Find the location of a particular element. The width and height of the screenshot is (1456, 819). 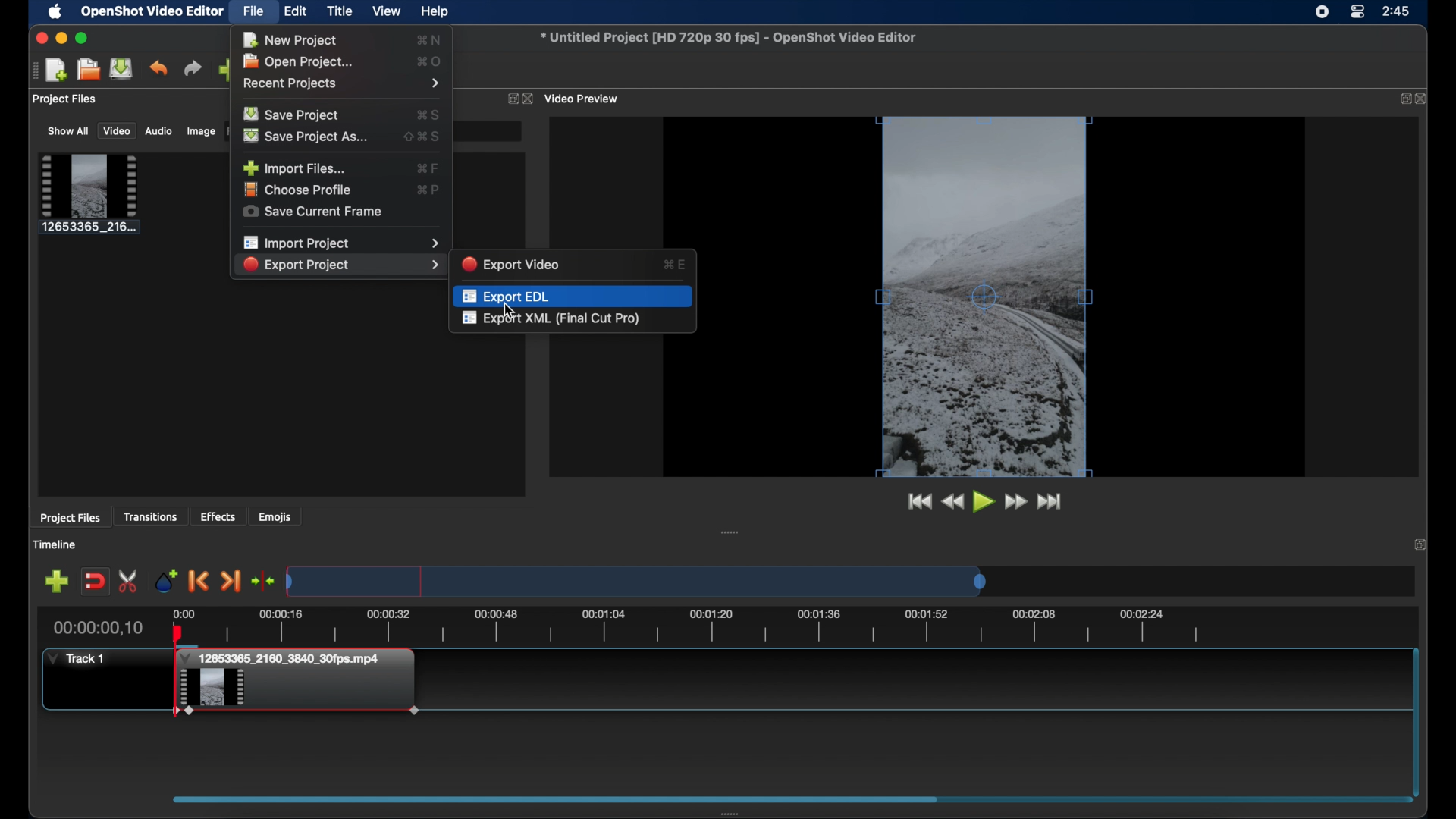

export video shortcut is located at coordinates (675, 263).